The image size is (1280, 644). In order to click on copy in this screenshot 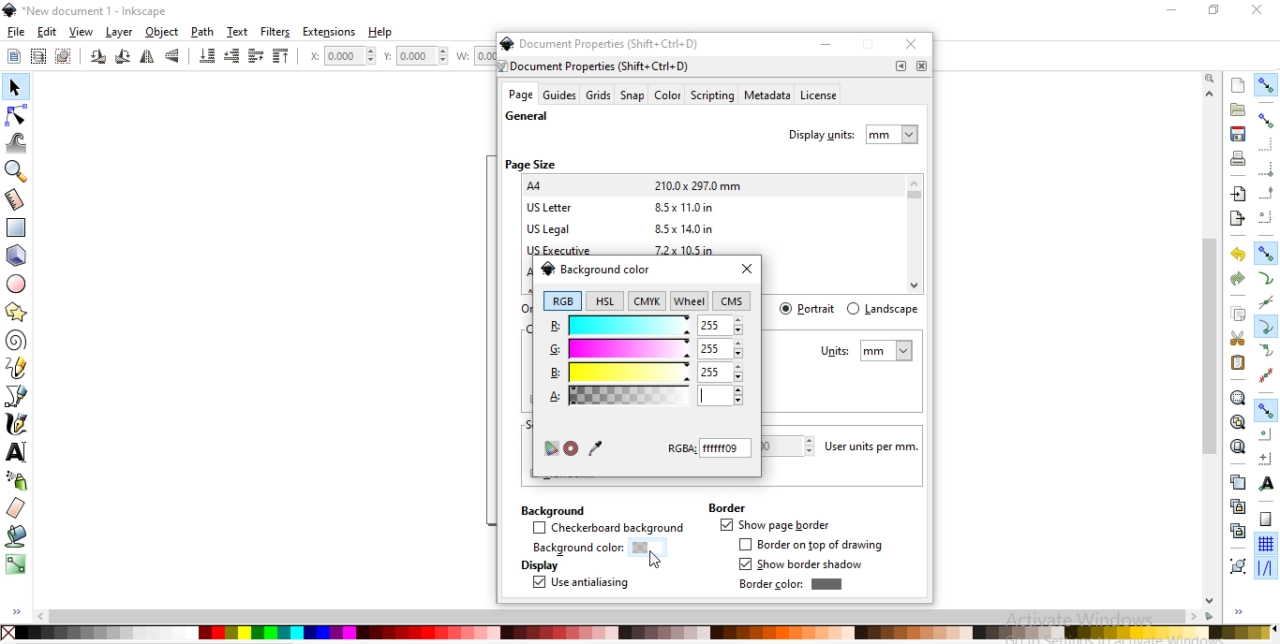, I will do `click(1238, 315)`.